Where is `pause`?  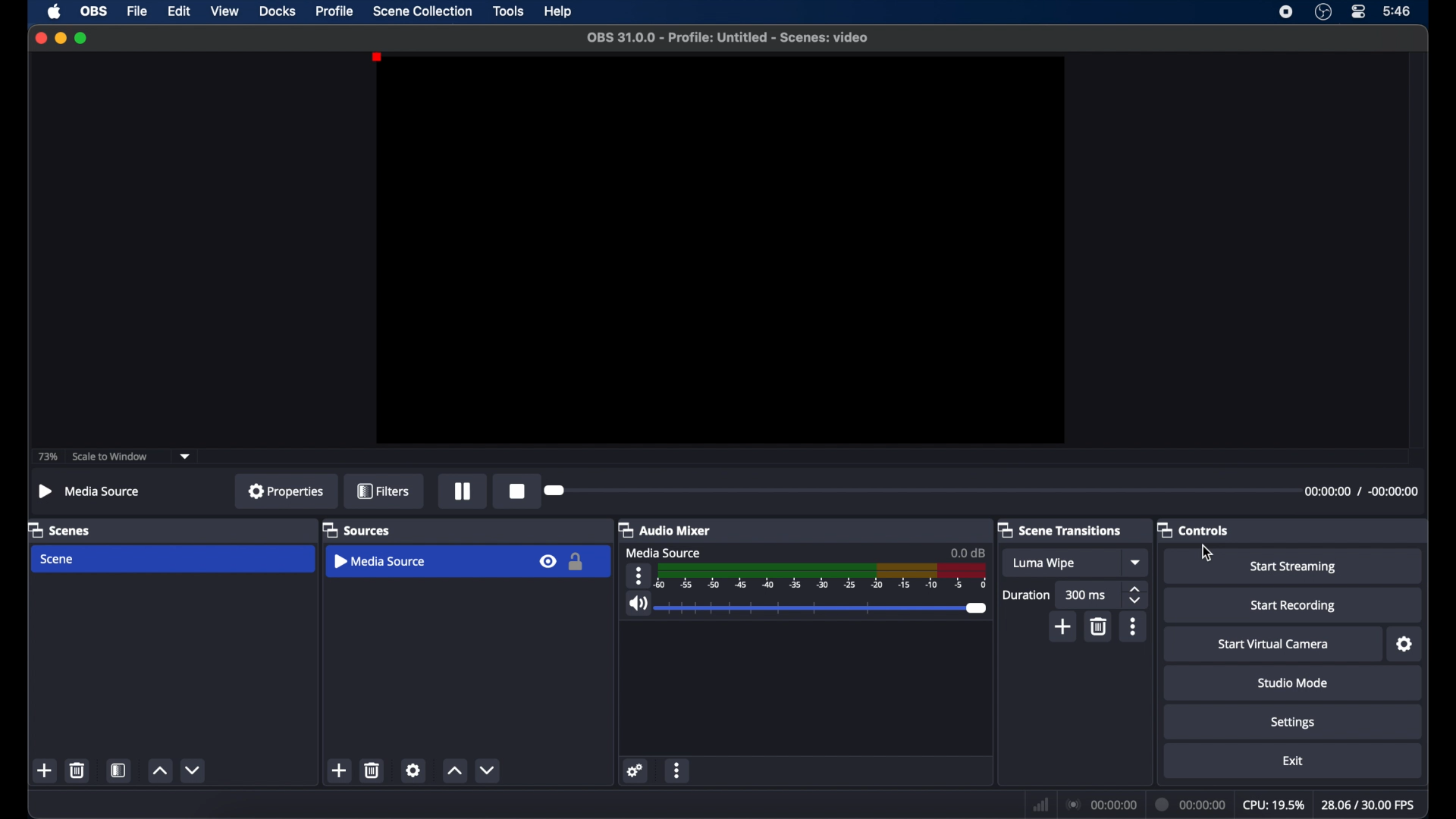
pause is located at coordinates (463, 491).